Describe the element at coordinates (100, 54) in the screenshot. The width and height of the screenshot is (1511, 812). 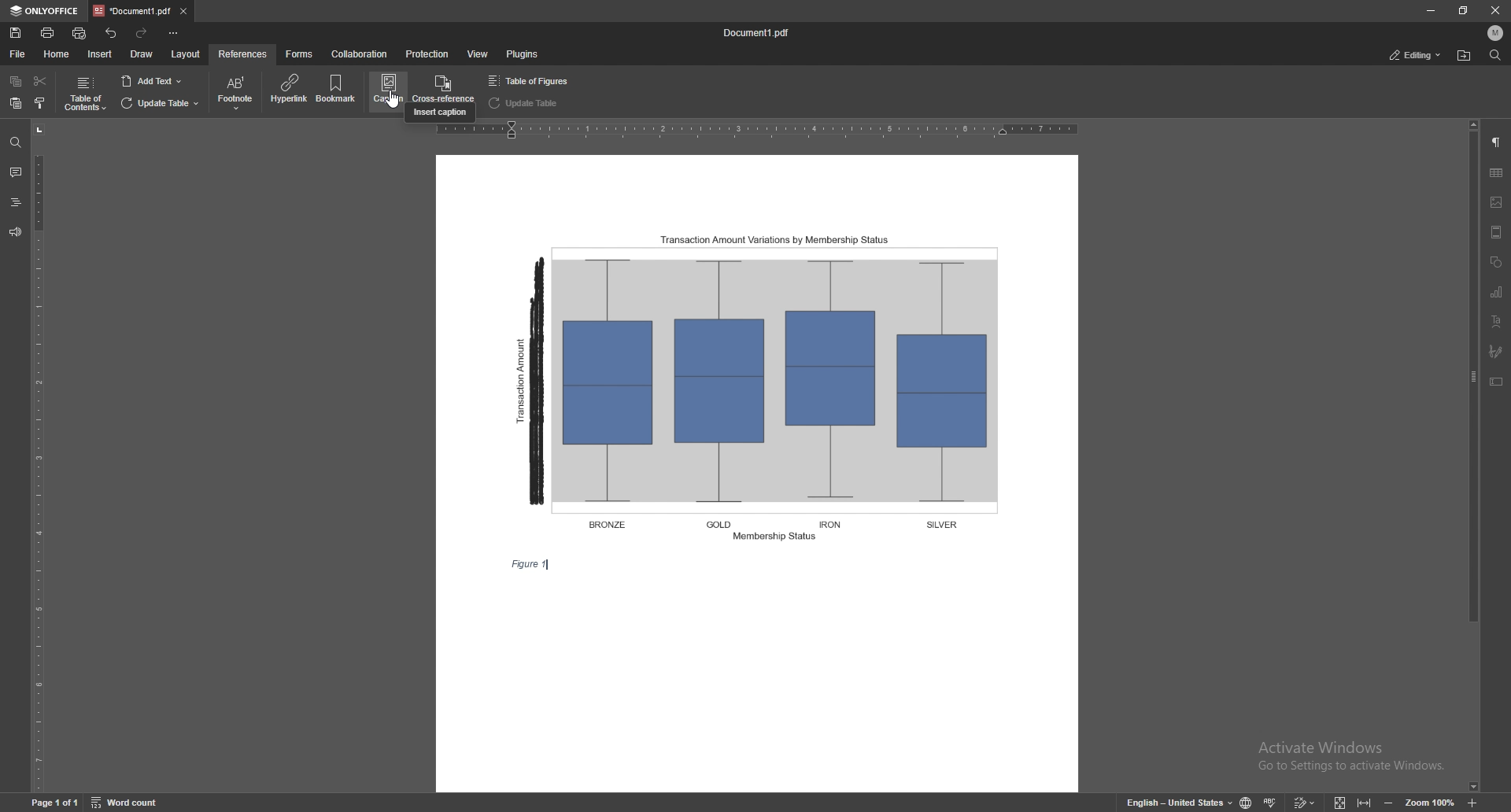
I see `insert` at that location.